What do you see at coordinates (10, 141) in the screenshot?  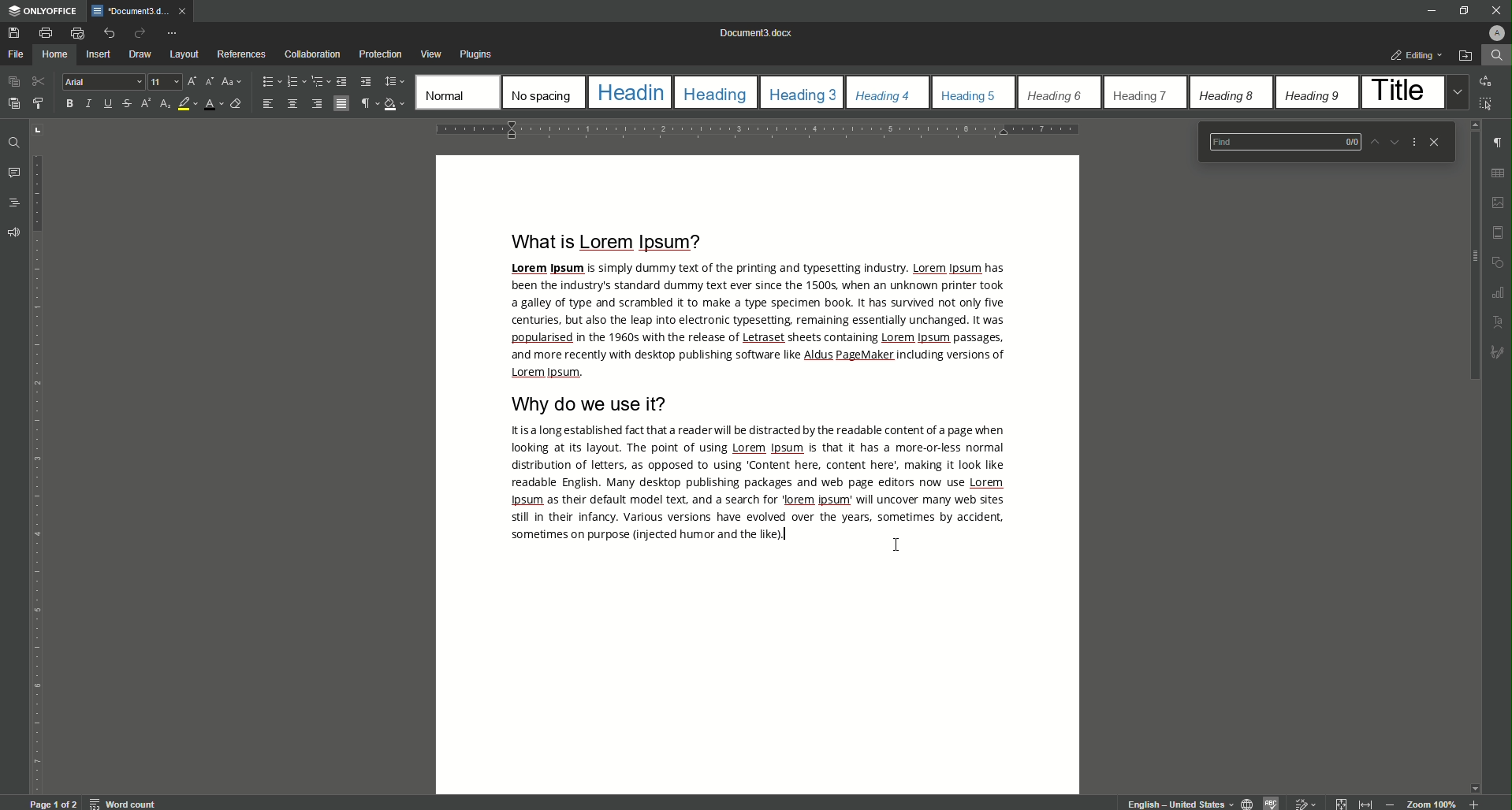 I see `Find` at bounding box center [10, 141].